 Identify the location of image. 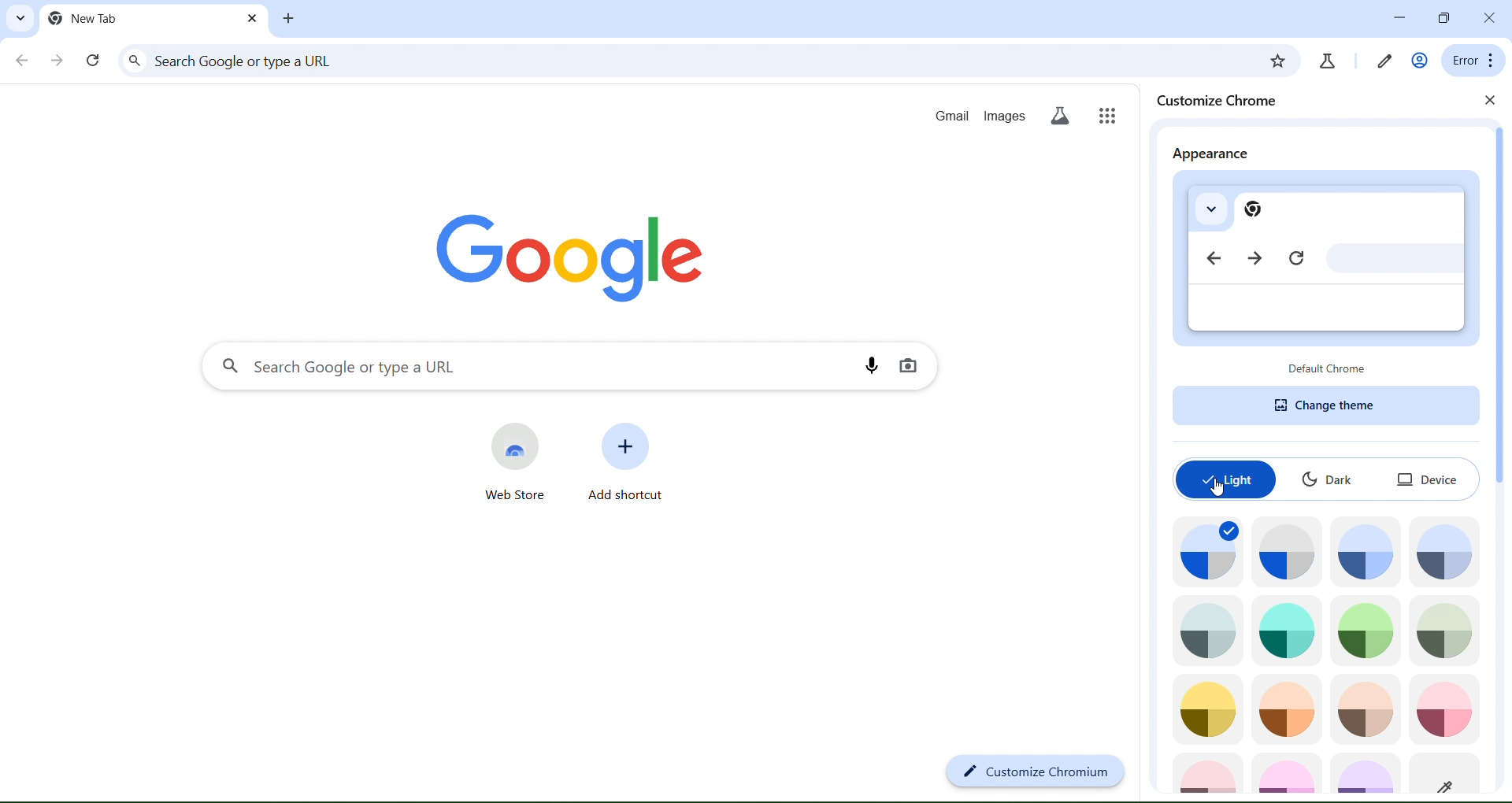
(1365, 711).